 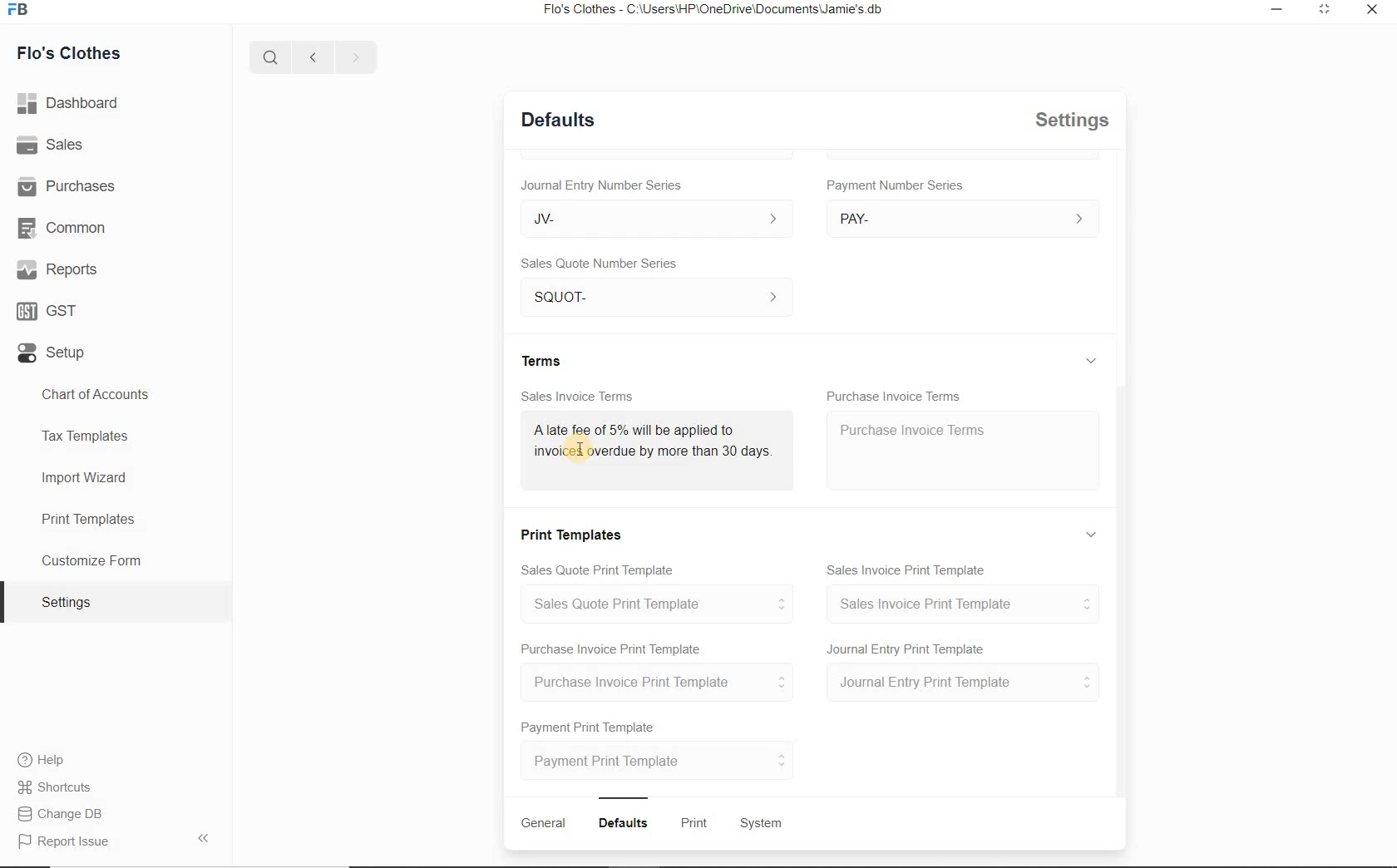 What do you see at coordinates (600, 182) in the screenshot?
I see `Journal Entry Number Series` at bounding box center [600, 182].